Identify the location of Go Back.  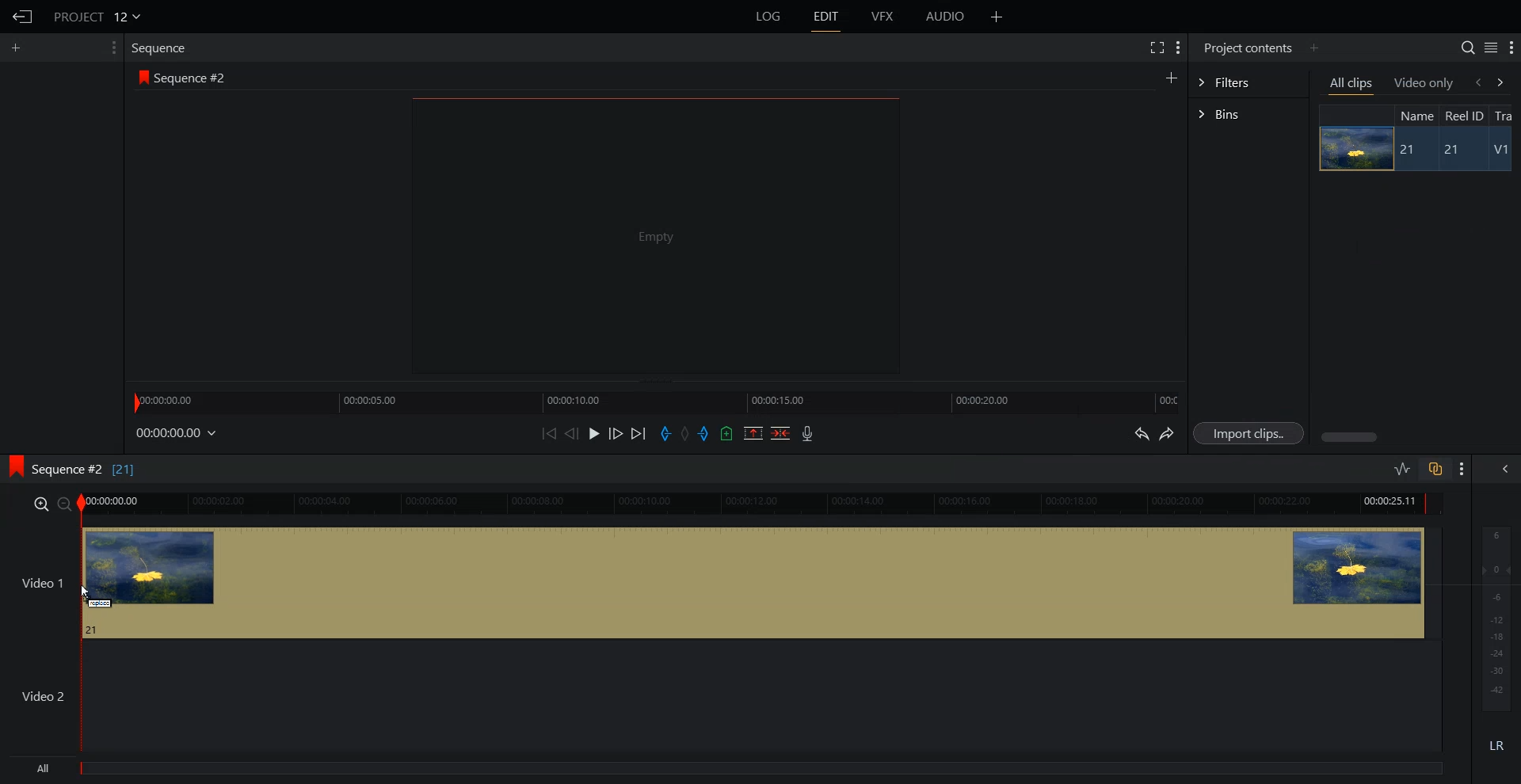
(21, 17).